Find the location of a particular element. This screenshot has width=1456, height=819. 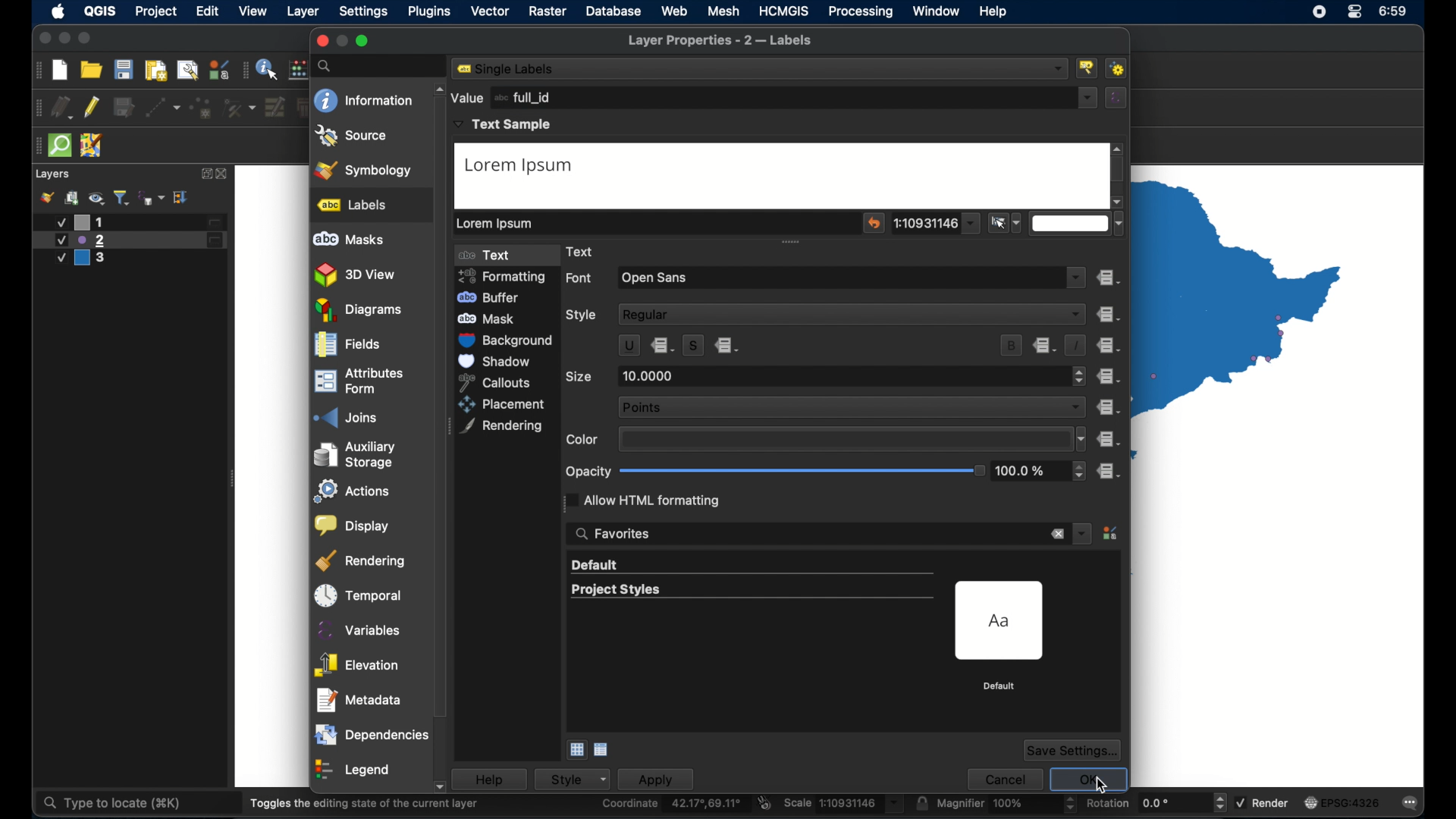

color preview is located at coordinates (842, 439).